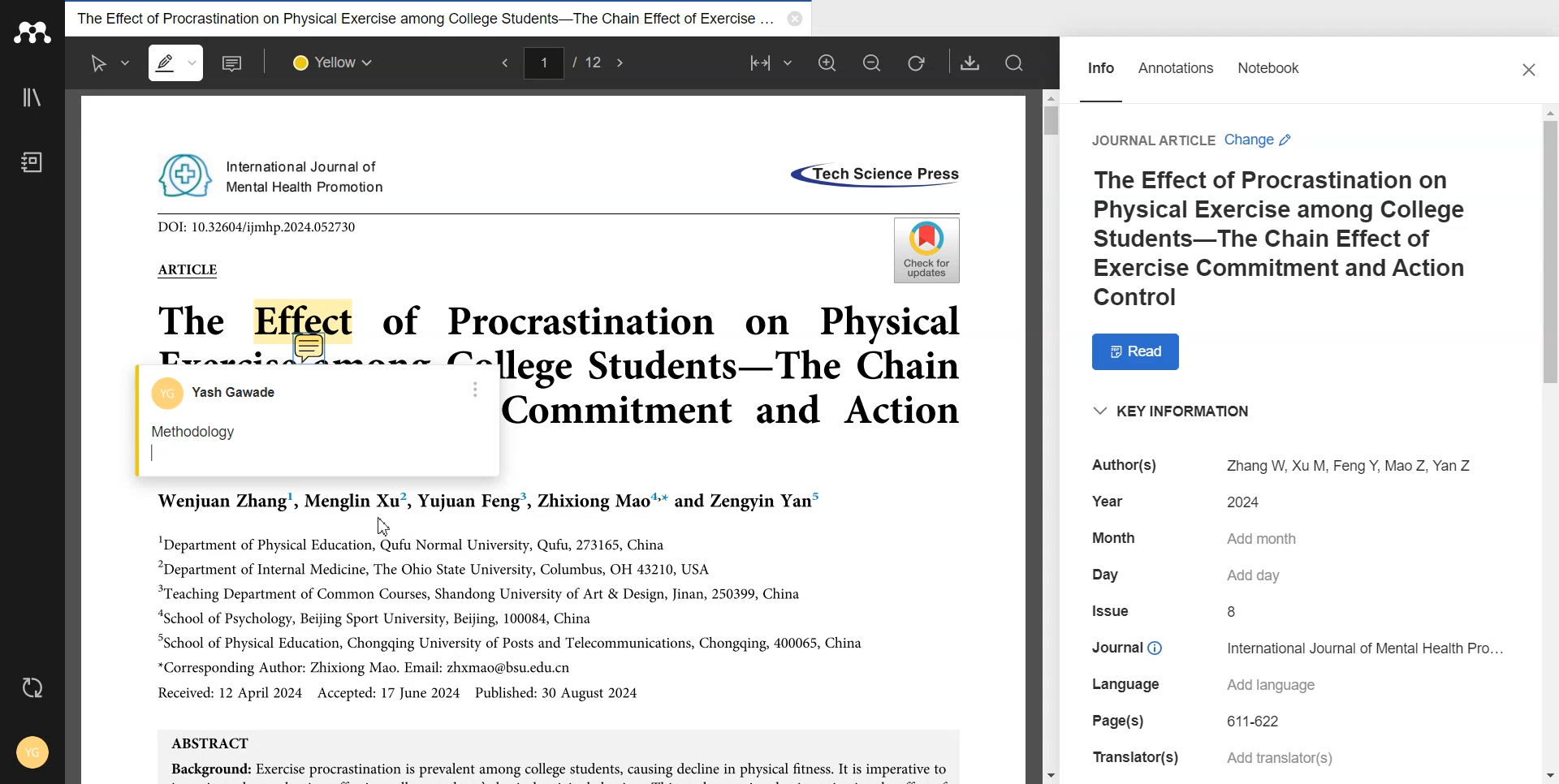 The width and height of the screenshot is (1559, 784). I want to click on ARTICLE, so click(187, 269).